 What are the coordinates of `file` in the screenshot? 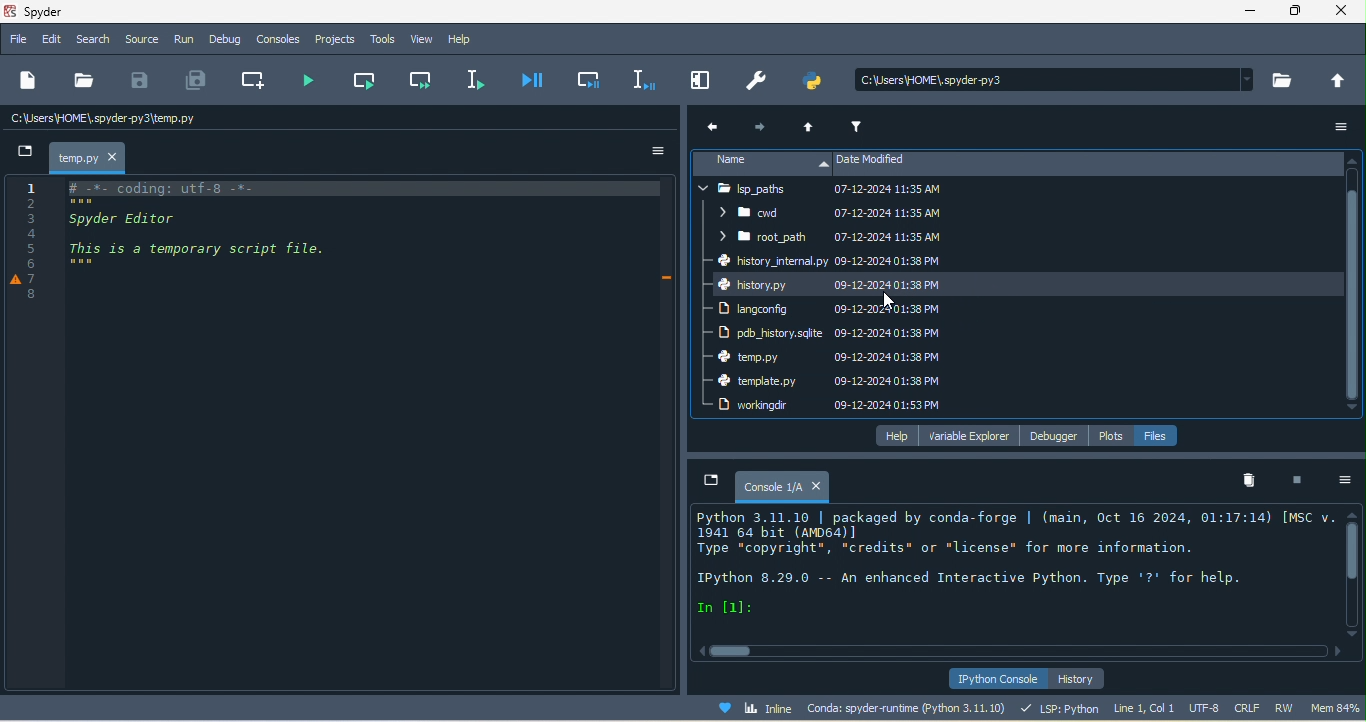 It's located at (1161, 435).